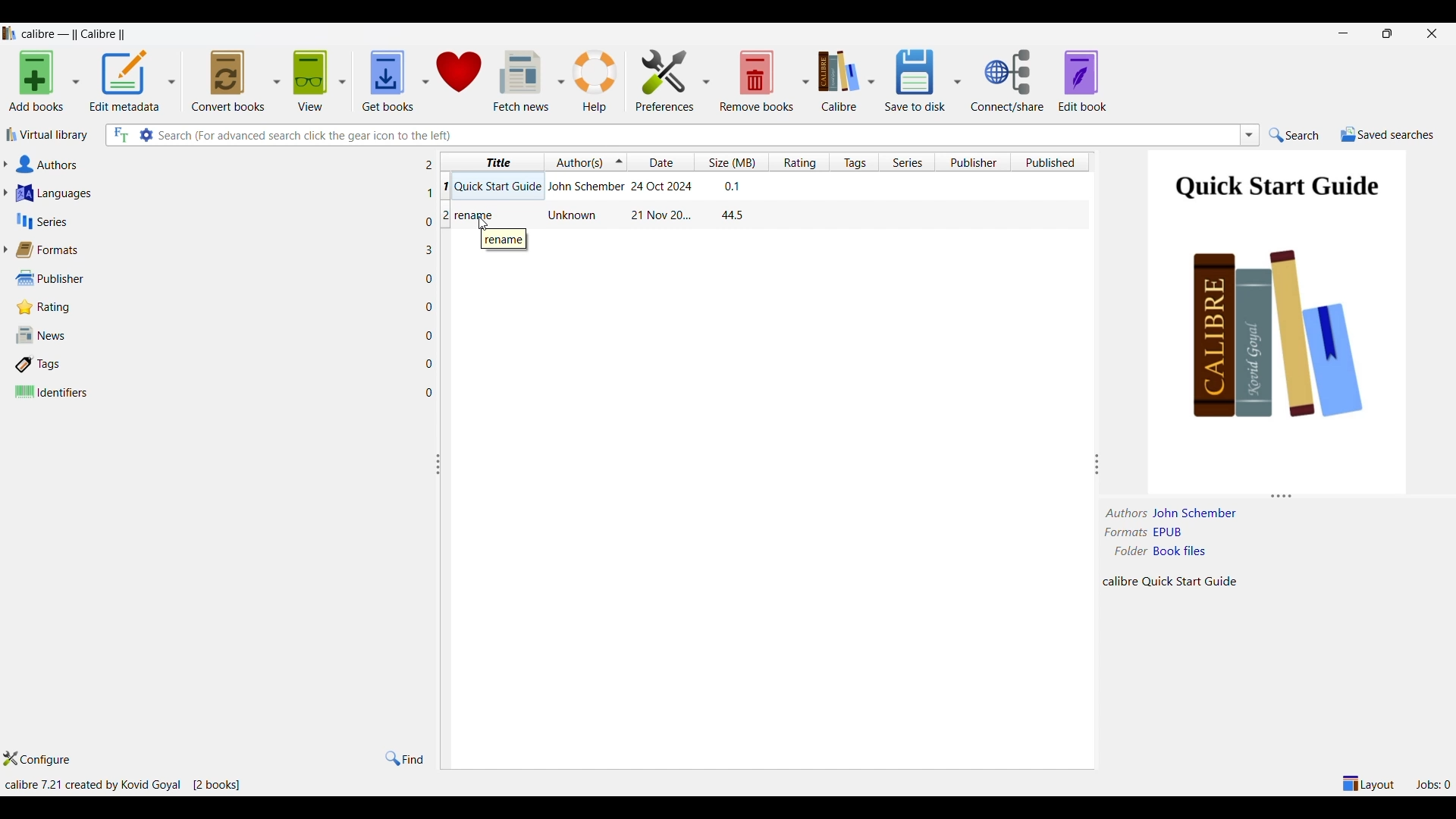 The height and width of the screenshot is (819, 1456). Describe the element at coordinates (425, 80) in the screenshot. I see `Get book options` at that location.